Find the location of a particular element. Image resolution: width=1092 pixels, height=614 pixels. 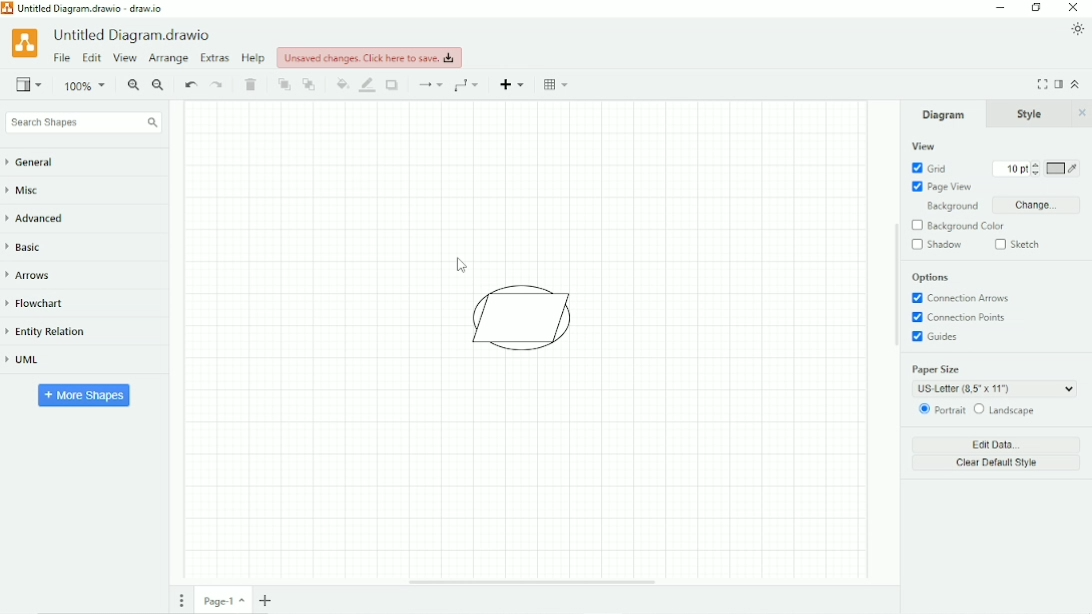

Grid size is located at coordinates (1011, 169).